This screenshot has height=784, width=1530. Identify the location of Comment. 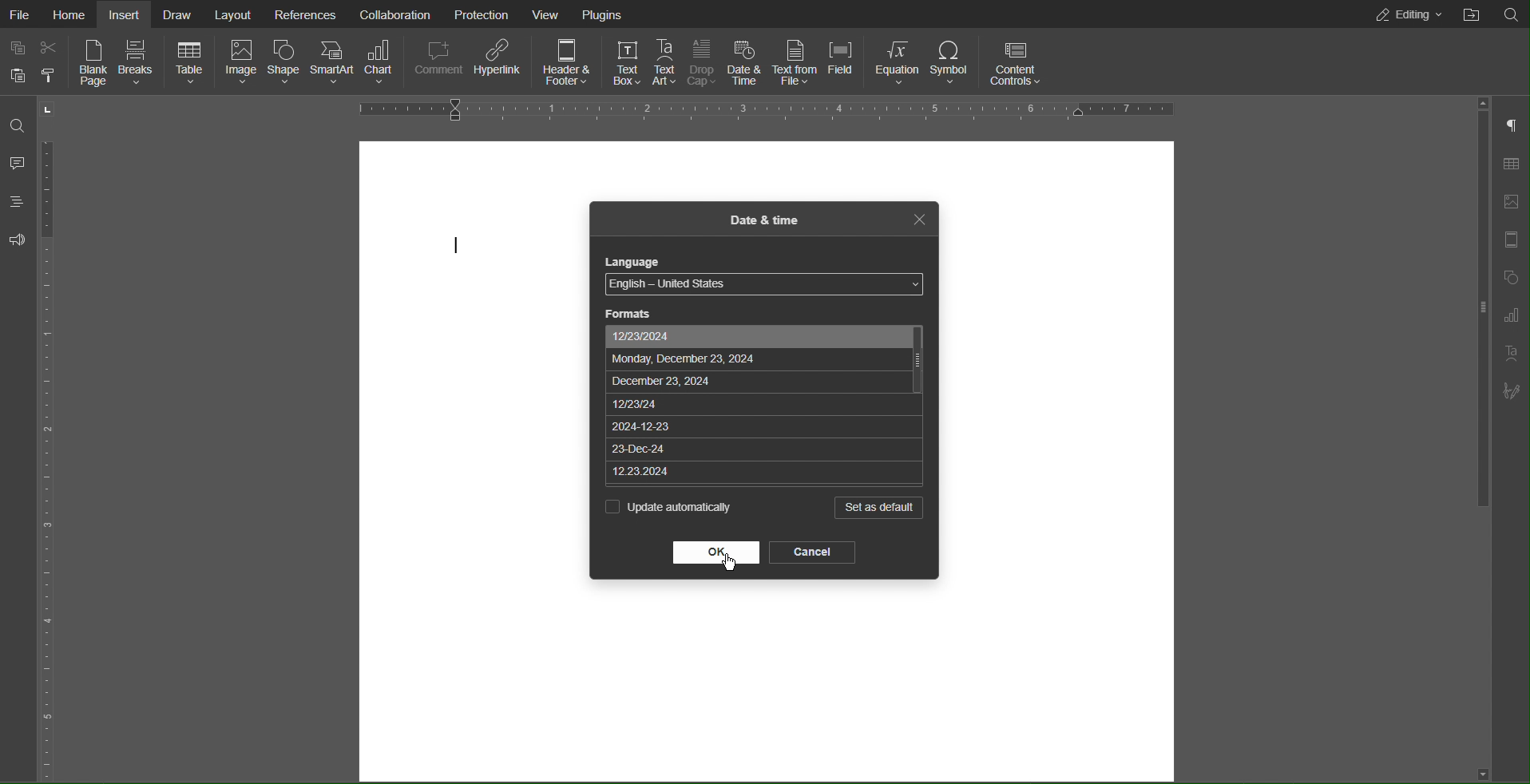
(18, 162).